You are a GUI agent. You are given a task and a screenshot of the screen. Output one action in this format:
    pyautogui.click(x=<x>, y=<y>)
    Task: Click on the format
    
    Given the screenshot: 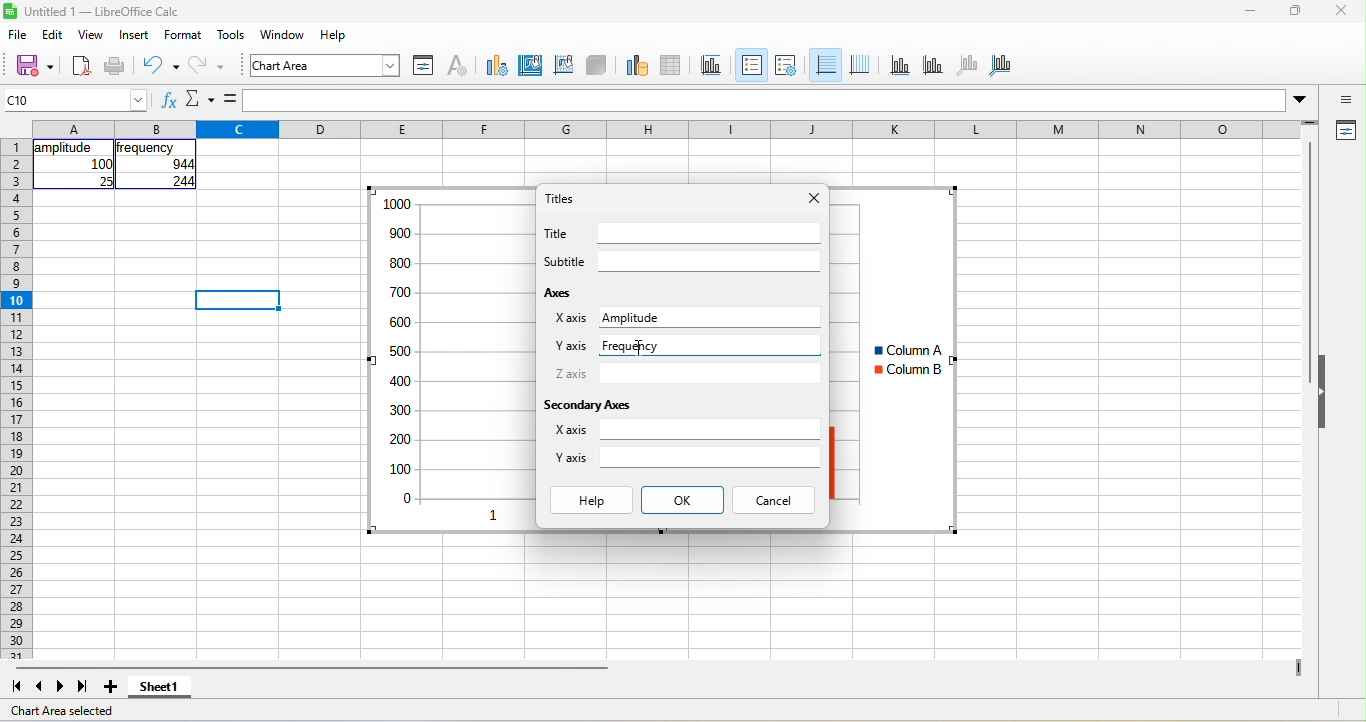 What is the action you would take?
    pyautogui.click(x=183, y=34)
    